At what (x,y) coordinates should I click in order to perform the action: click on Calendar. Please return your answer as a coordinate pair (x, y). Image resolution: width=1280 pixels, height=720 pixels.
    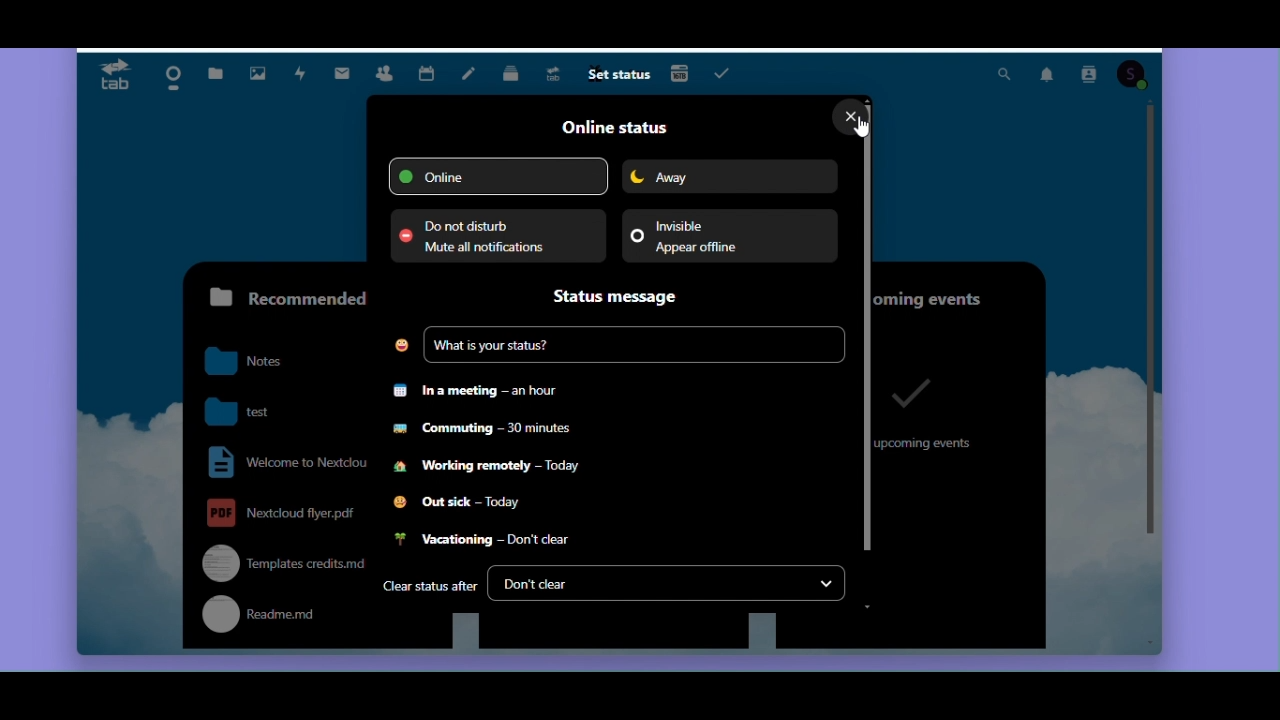
    Looking at the image, I should click on (427, 71).